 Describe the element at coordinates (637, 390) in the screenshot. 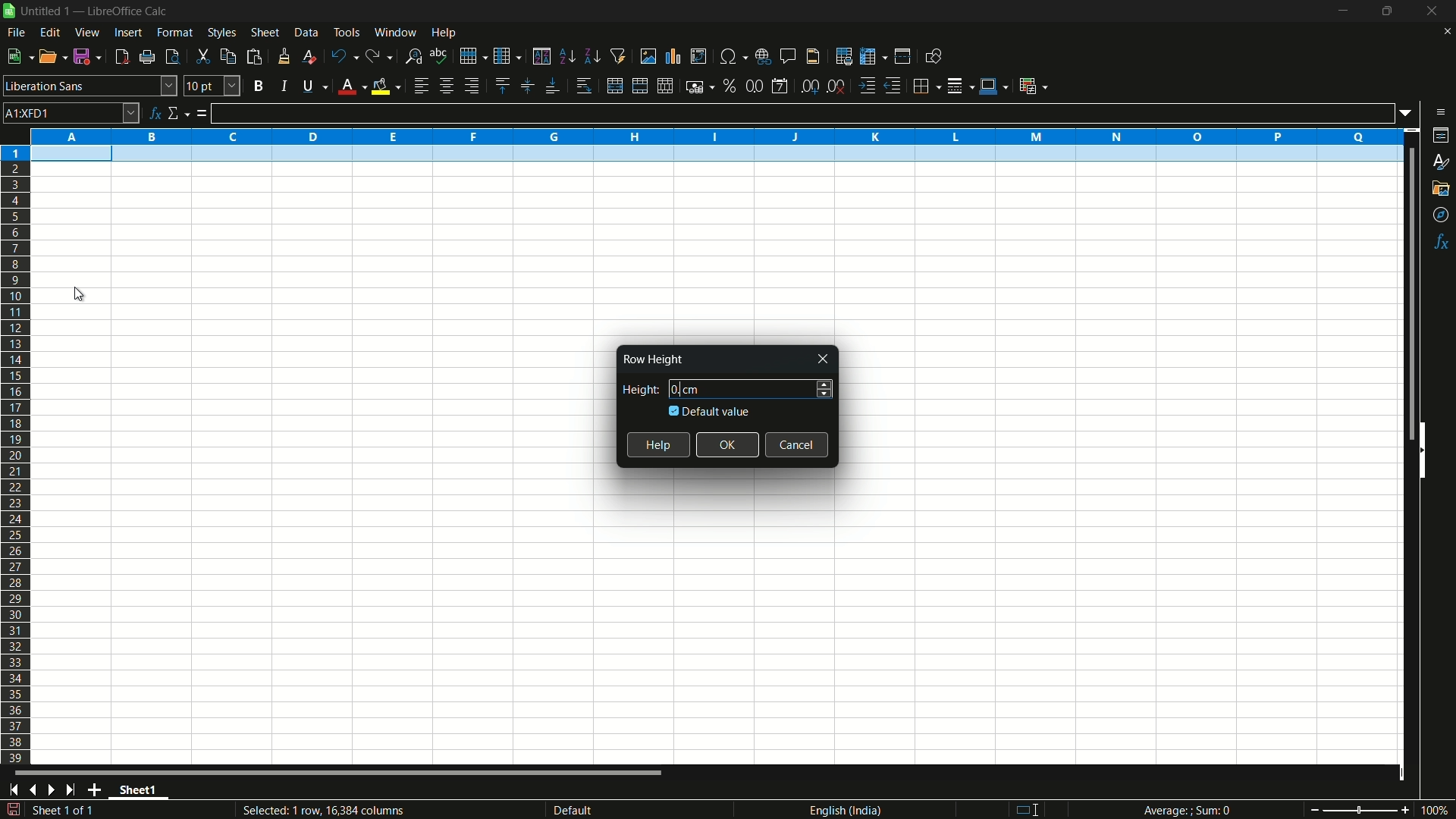

I see `height` at that location.